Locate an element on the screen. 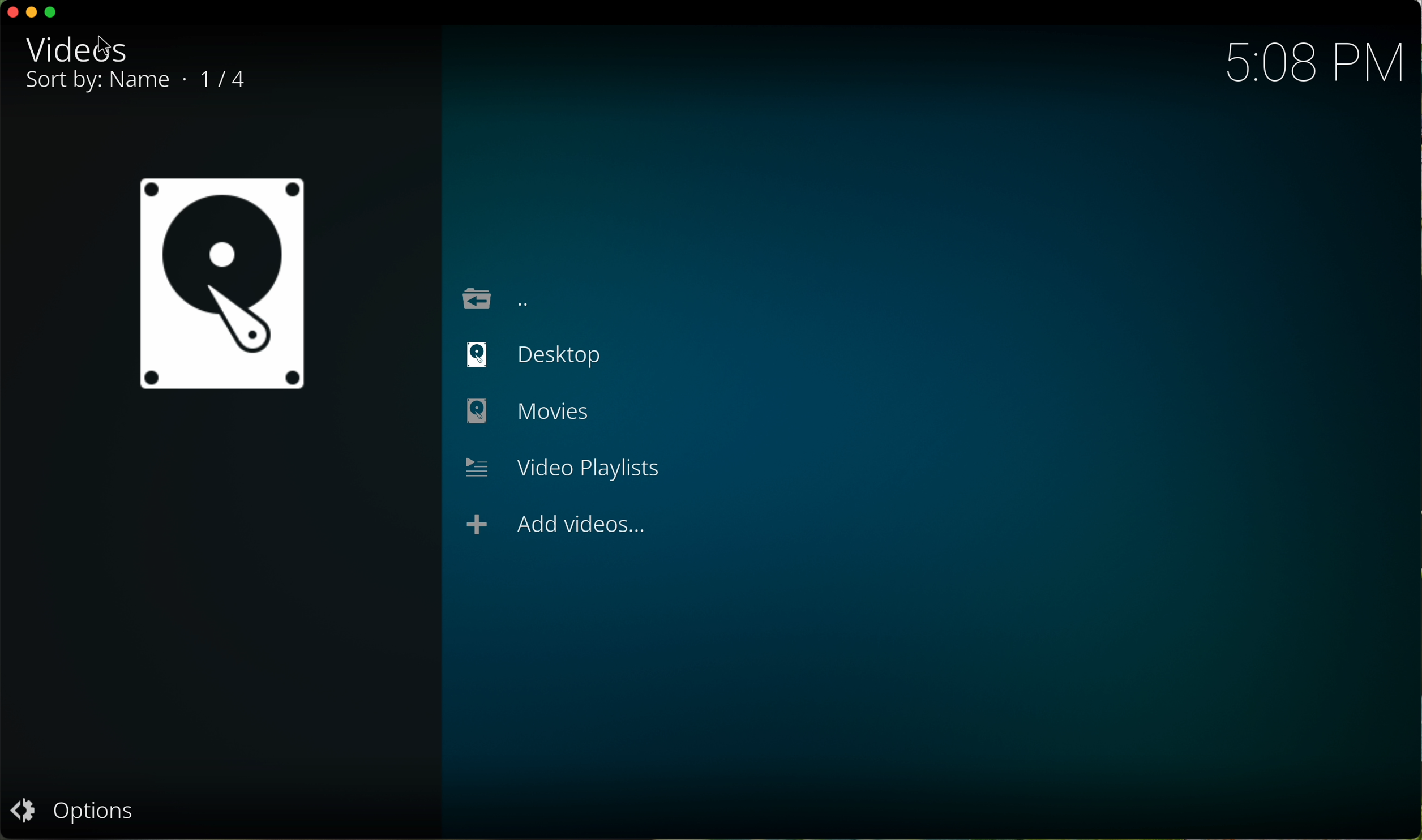 The height and width of the screenshot is (840, 1422). videos is located at coordinates (77, 48).